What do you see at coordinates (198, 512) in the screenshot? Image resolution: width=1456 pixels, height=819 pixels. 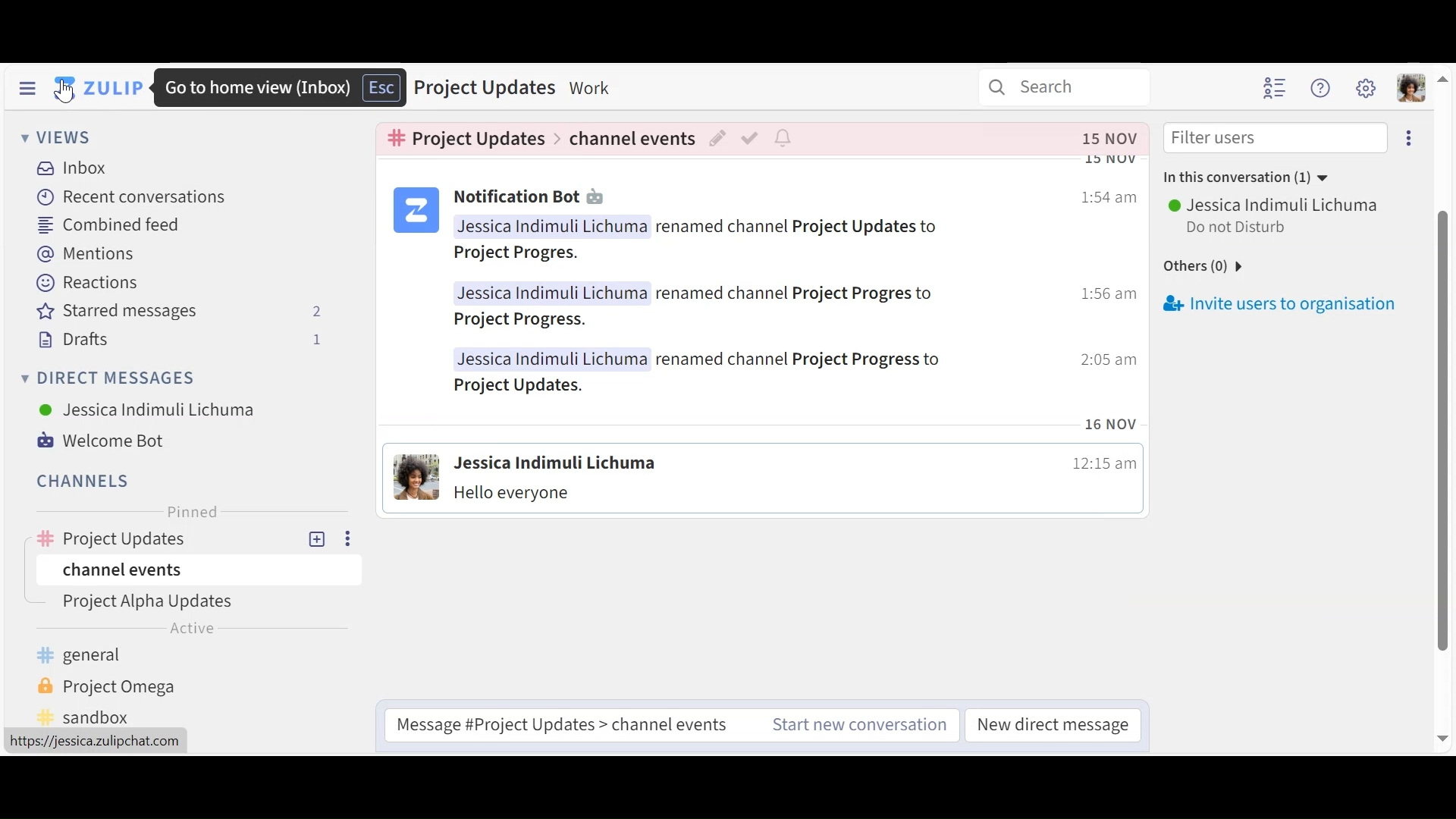 I see `Pinned` at bounding box center [198, 512].